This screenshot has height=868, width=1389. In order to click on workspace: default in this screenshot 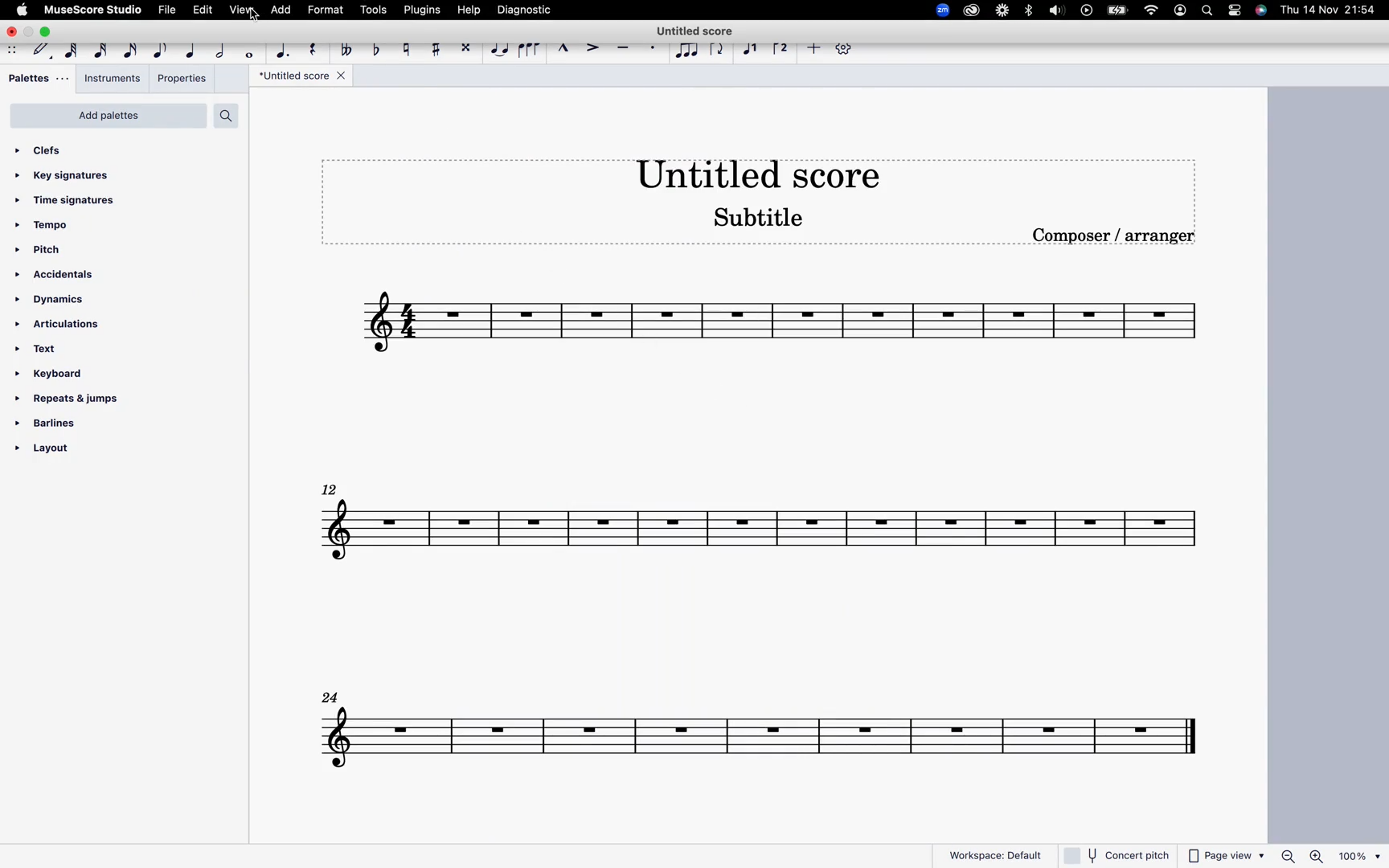, I will do `click(994, 855)`.